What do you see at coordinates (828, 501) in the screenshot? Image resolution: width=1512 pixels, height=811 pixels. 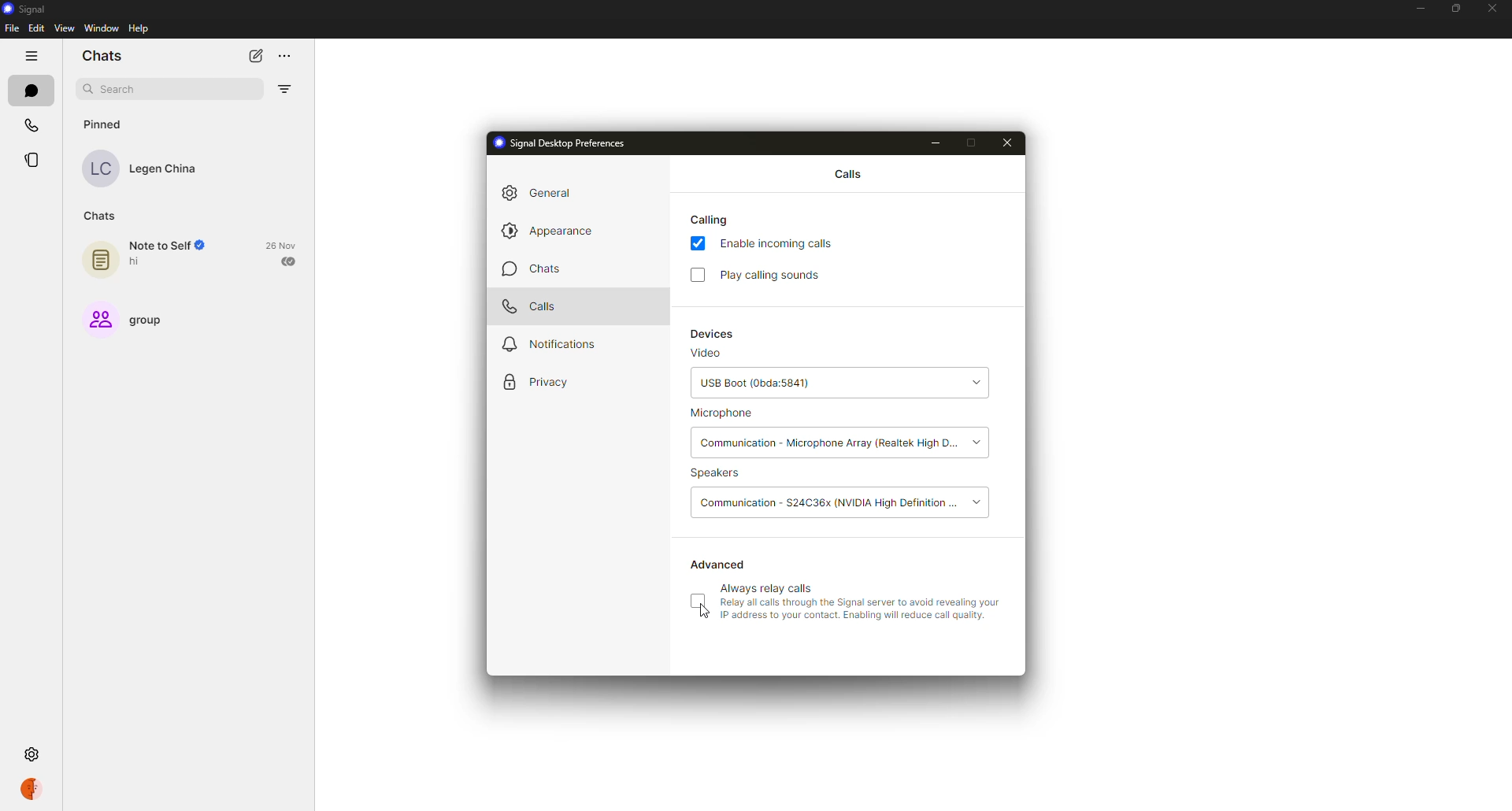 I see `| Communication - $24C36x (NVIDIA High Definition...` at bounding box center [828, 501].